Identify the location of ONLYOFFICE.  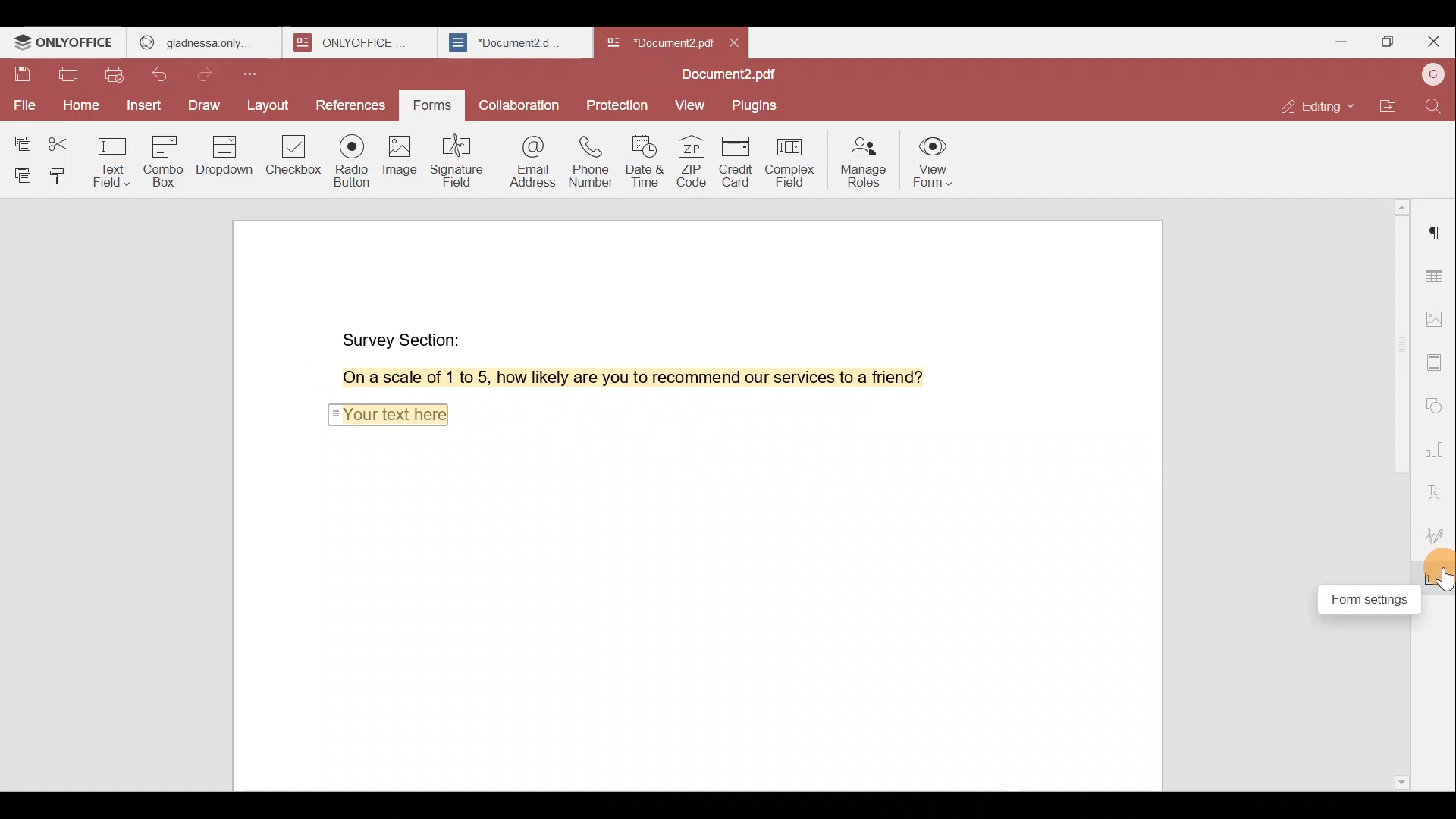
(65, 42).